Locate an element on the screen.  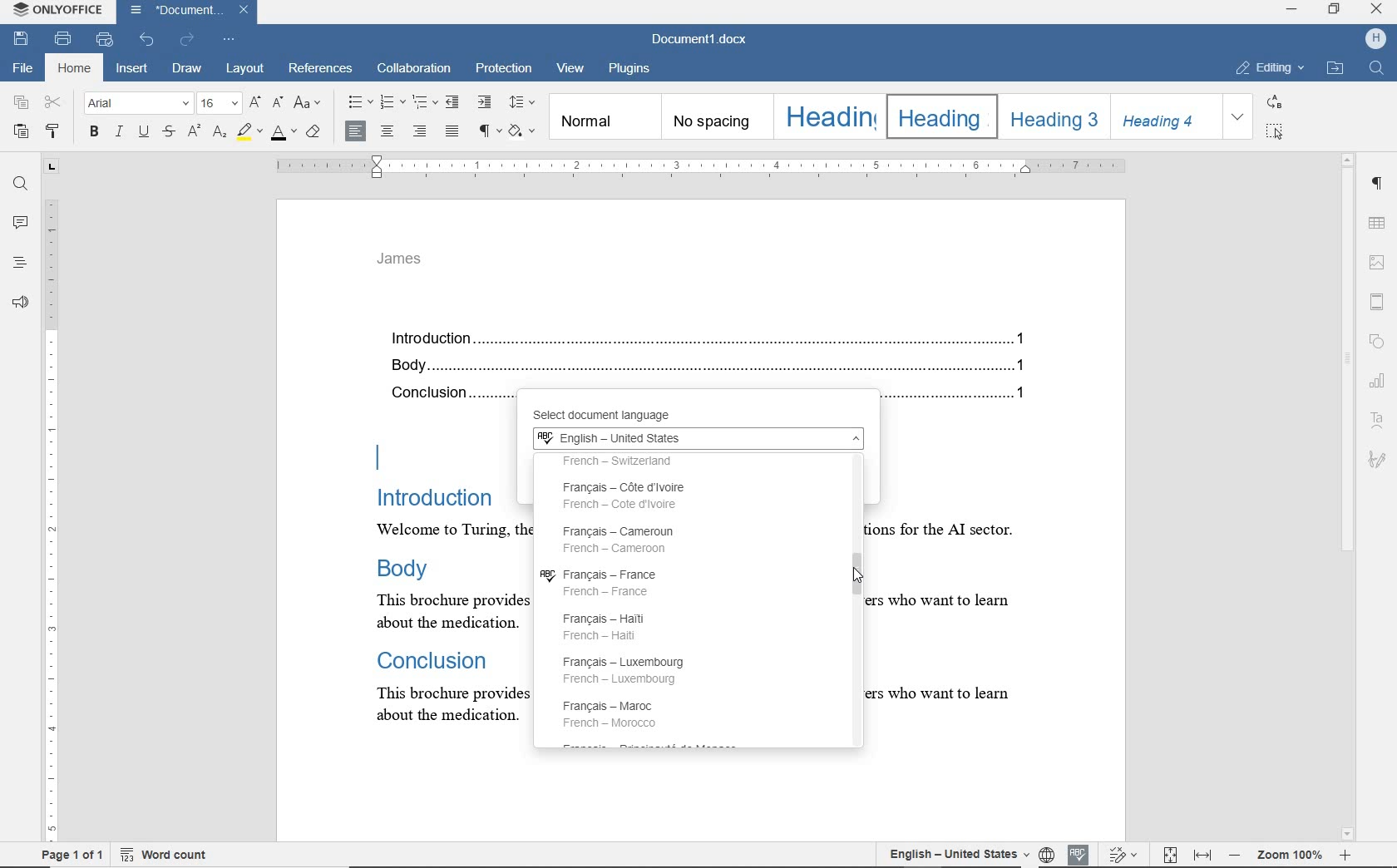
English - United States is located at coordinates (696, 440).